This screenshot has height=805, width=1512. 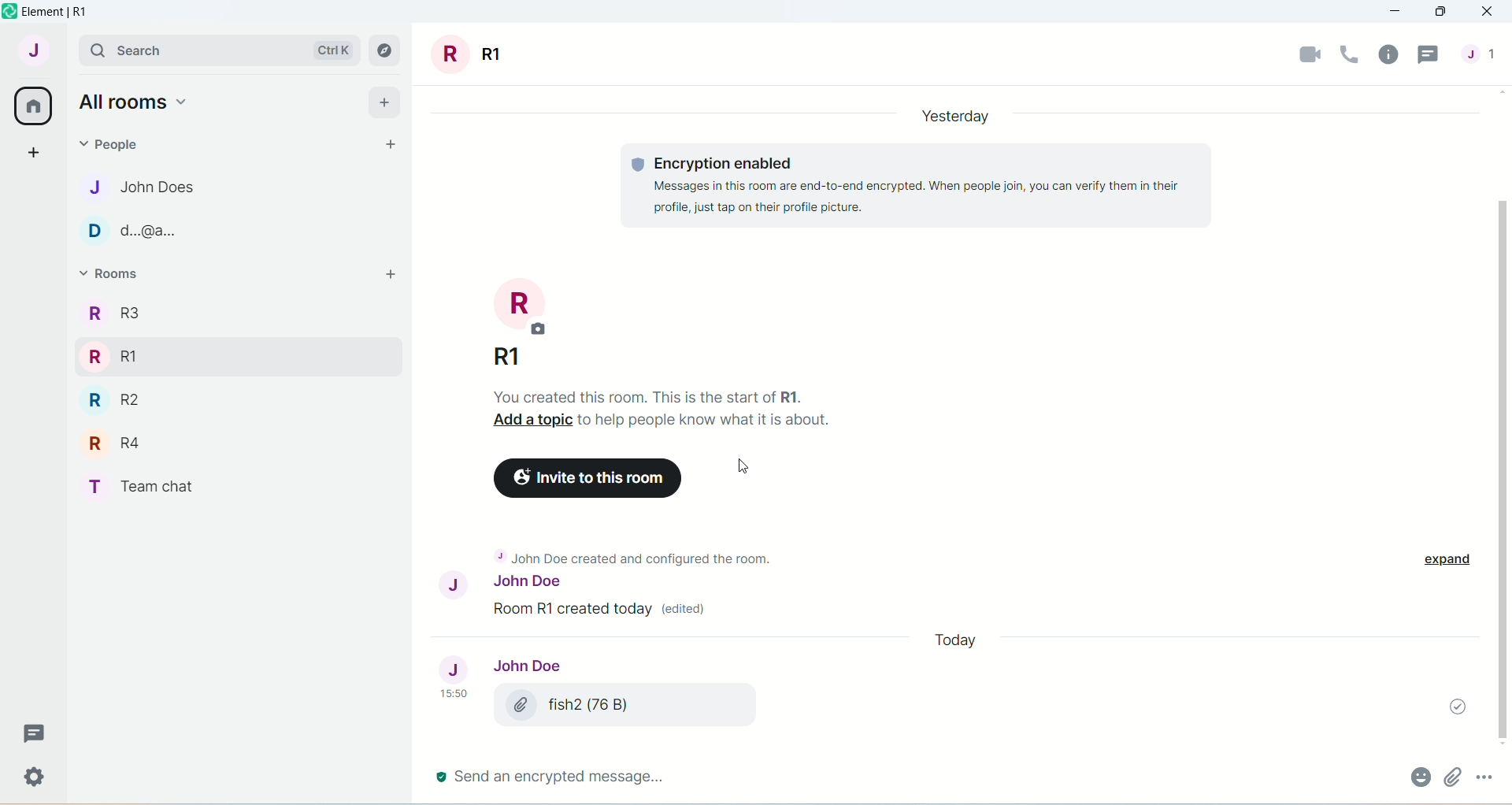 I want to click on send an encrypted message.., so click(x=551, y=776).